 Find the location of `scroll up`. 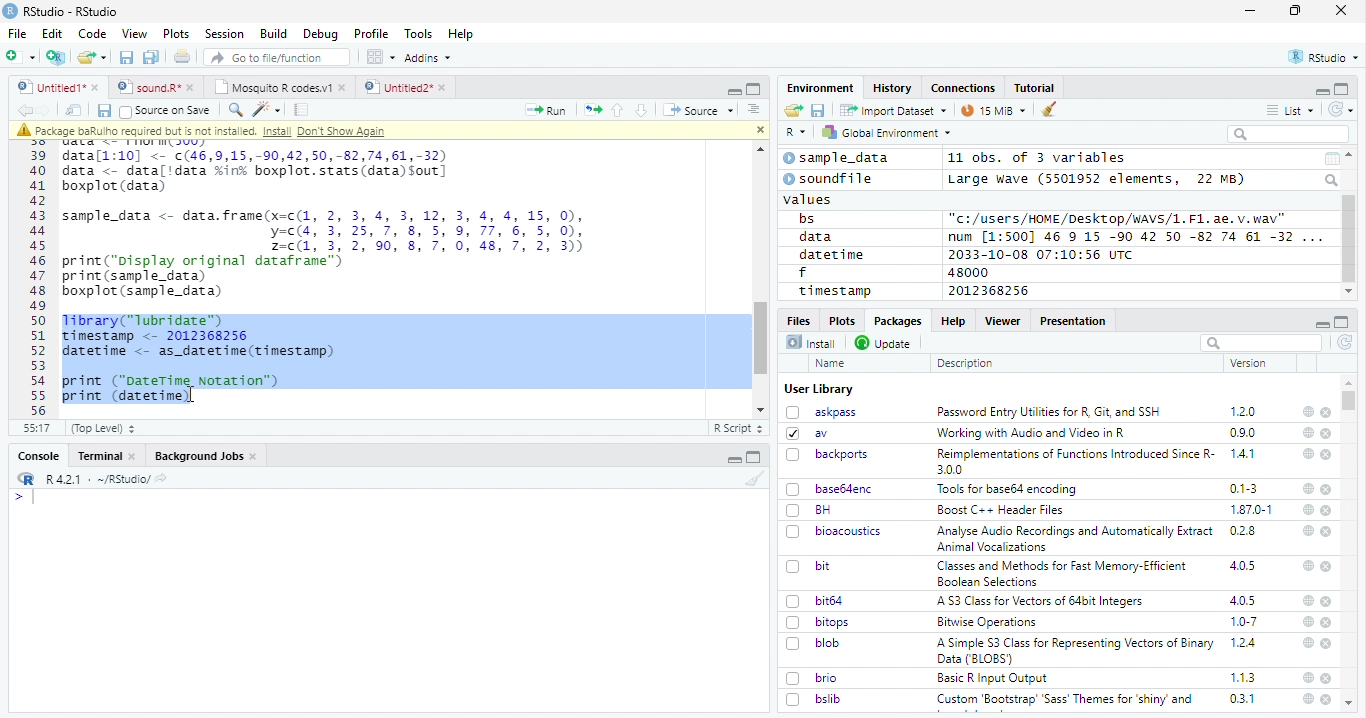

scroll up is located at coordinates (1351, 155).